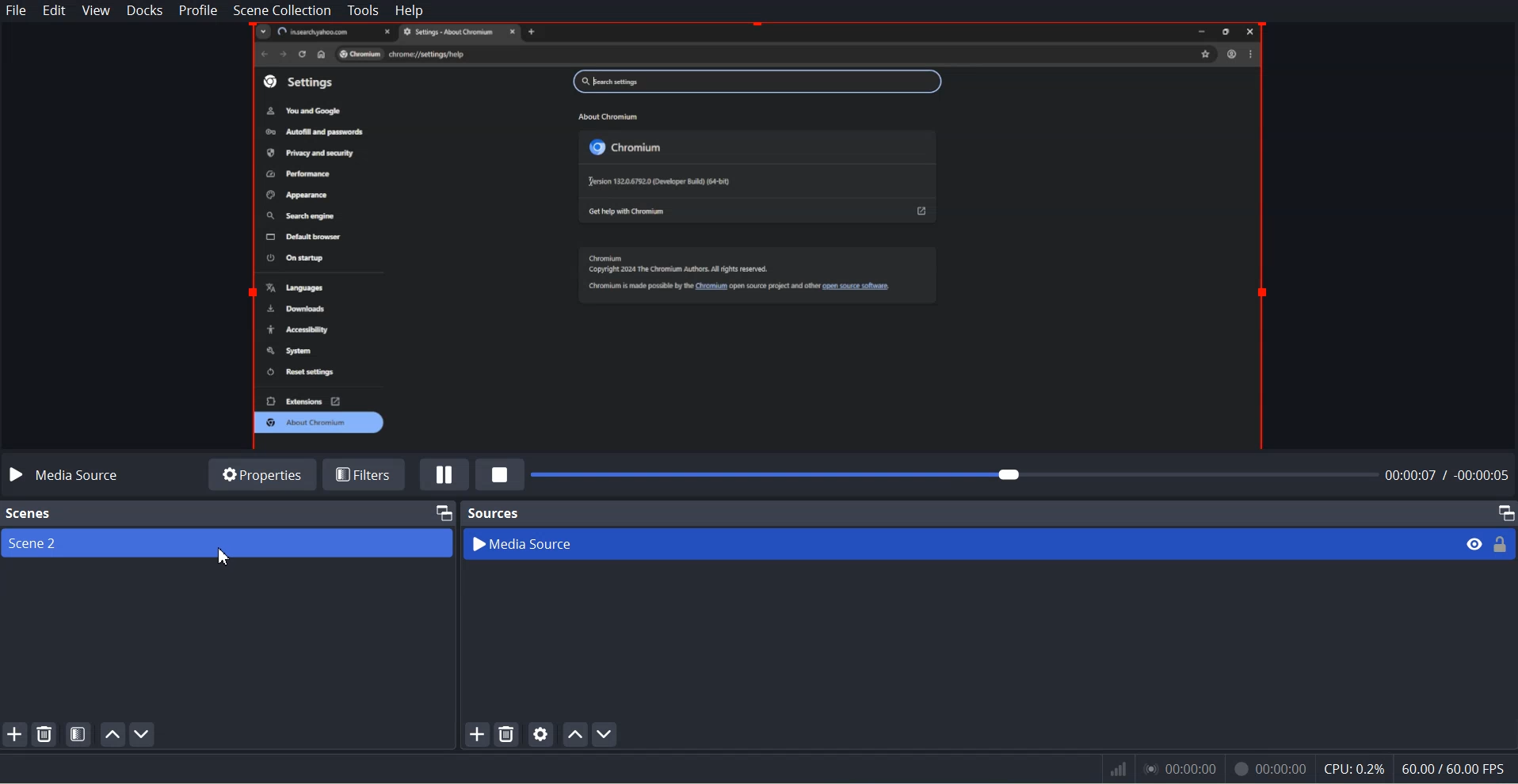 The height and width of the screenshot is (784, 1518). What do you see at coordinates (66, 476) in the screenshot?
I see `Media source` at bounding box center [66, 476].